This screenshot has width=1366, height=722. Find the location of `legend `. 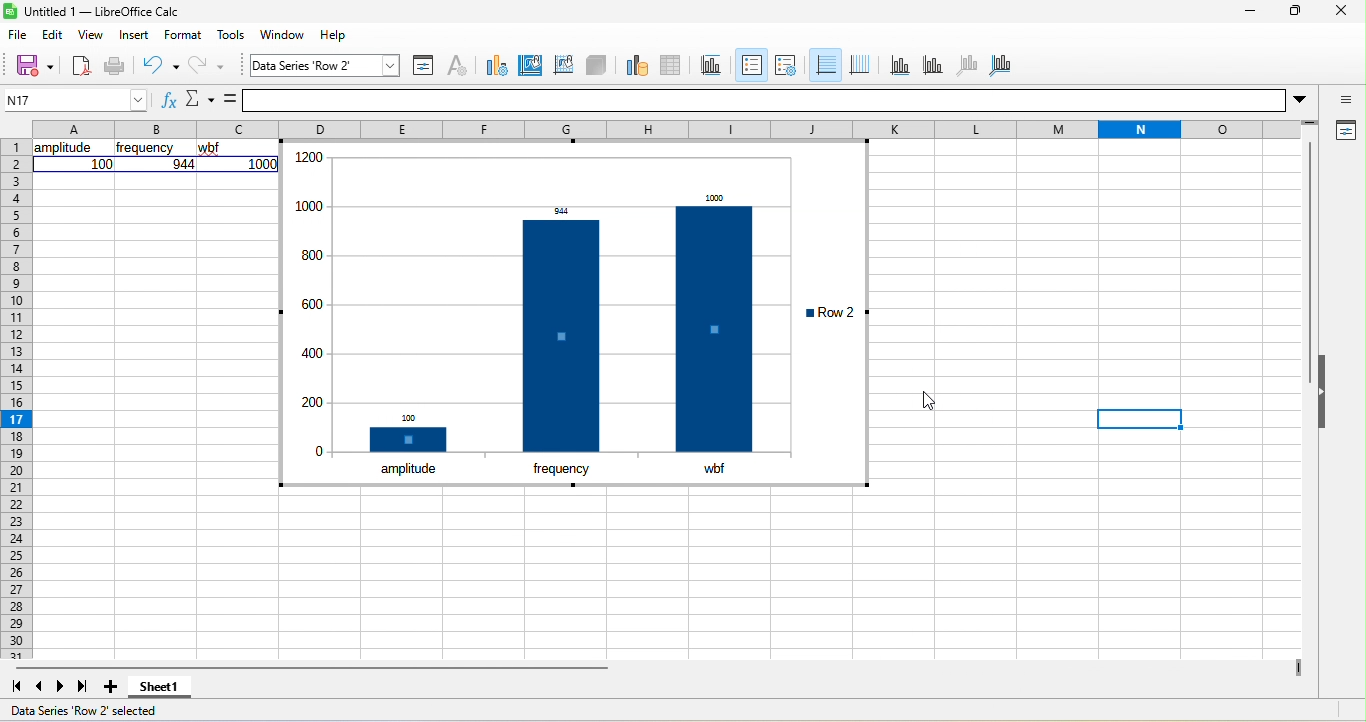

legend  is located at coordinates (787, 68).